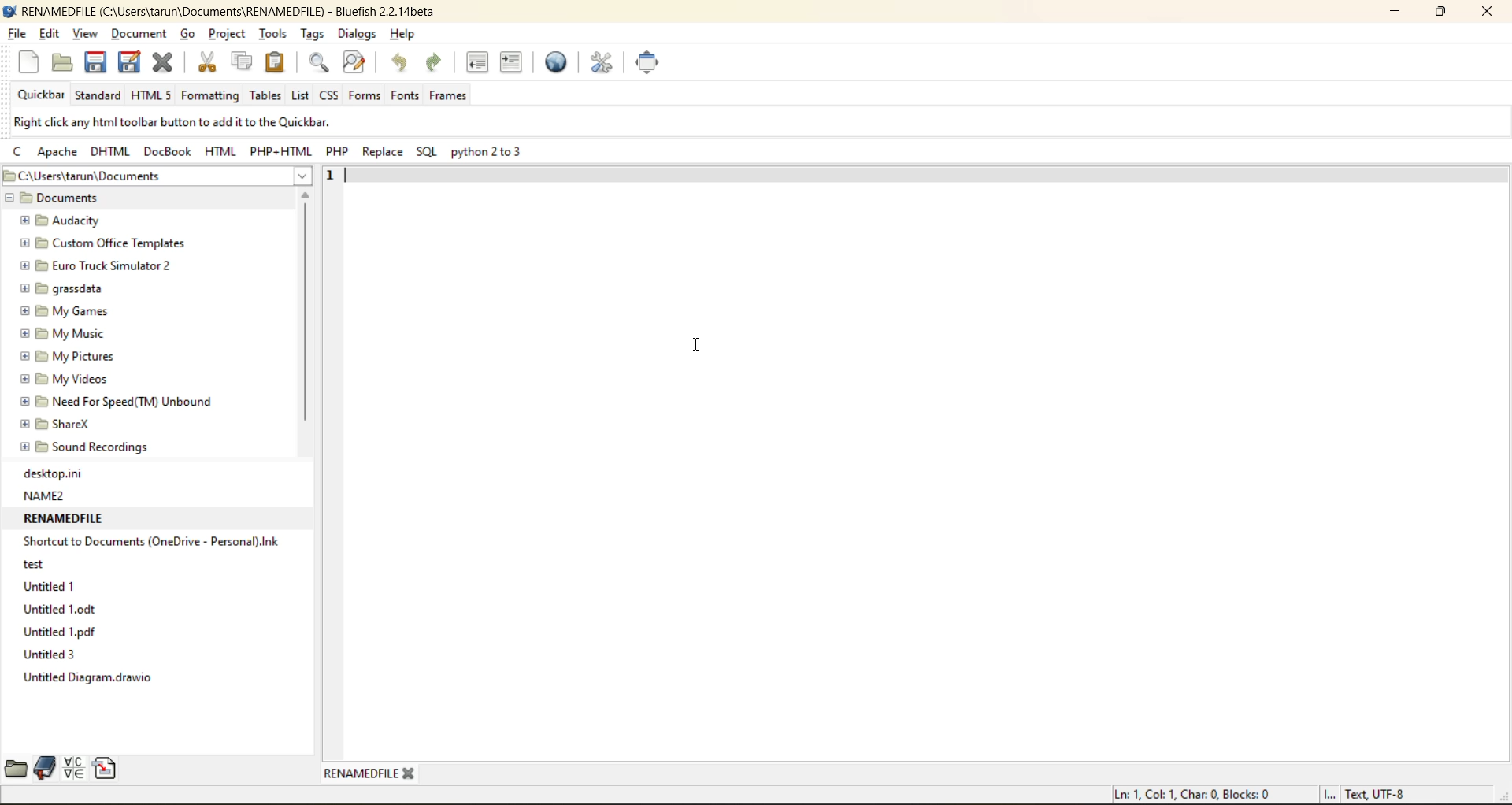 The width and height of the screenshot is (1512, 805). Describe the element at coordinates (52, 34) in the screenshot. I see `edit` at that location.